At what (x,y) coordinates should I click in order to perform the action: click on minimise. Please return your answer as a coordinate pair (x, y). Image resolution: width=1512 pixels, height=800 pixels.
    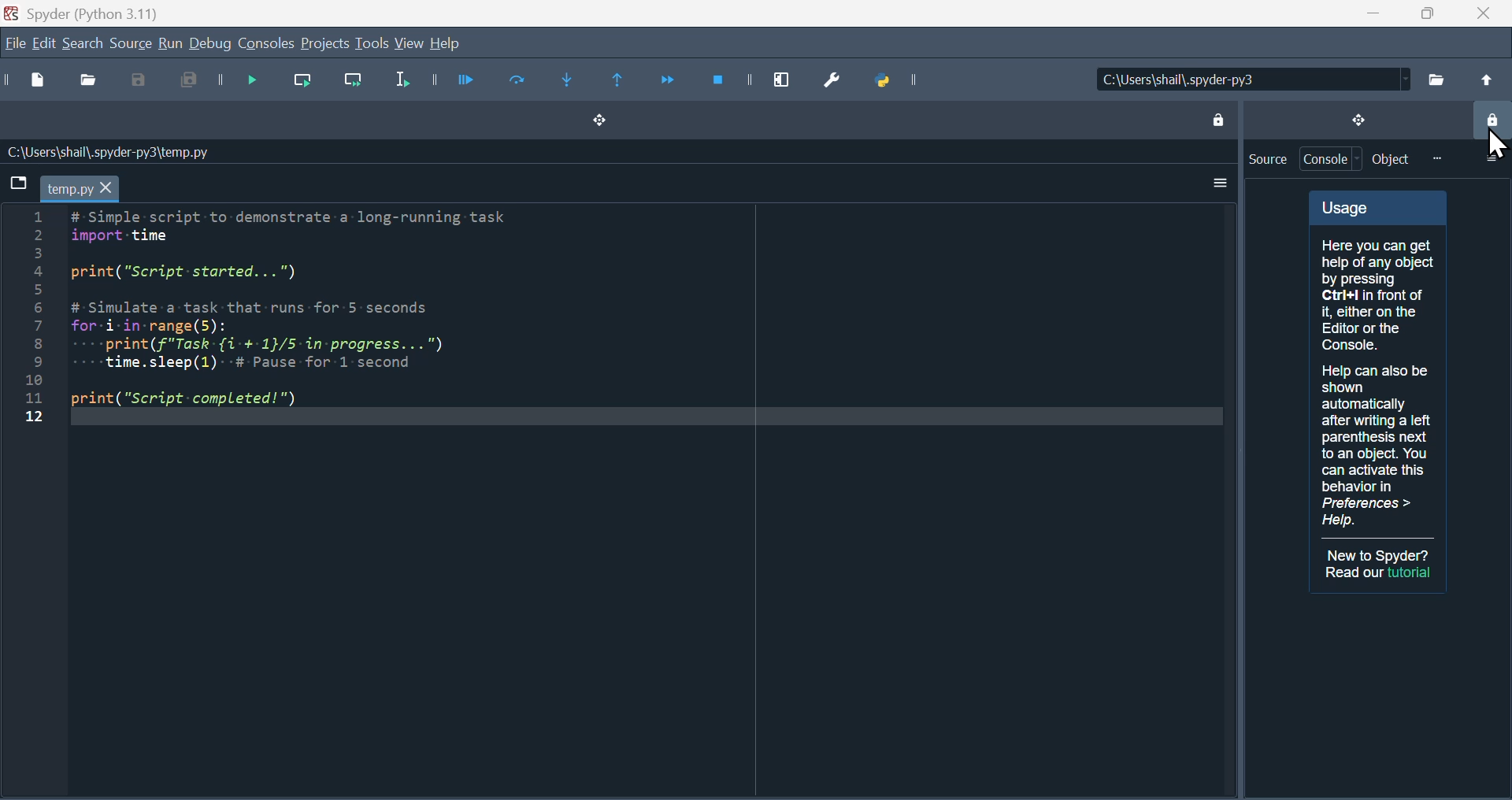
    Looking at the image, I should click on (1366, 13).